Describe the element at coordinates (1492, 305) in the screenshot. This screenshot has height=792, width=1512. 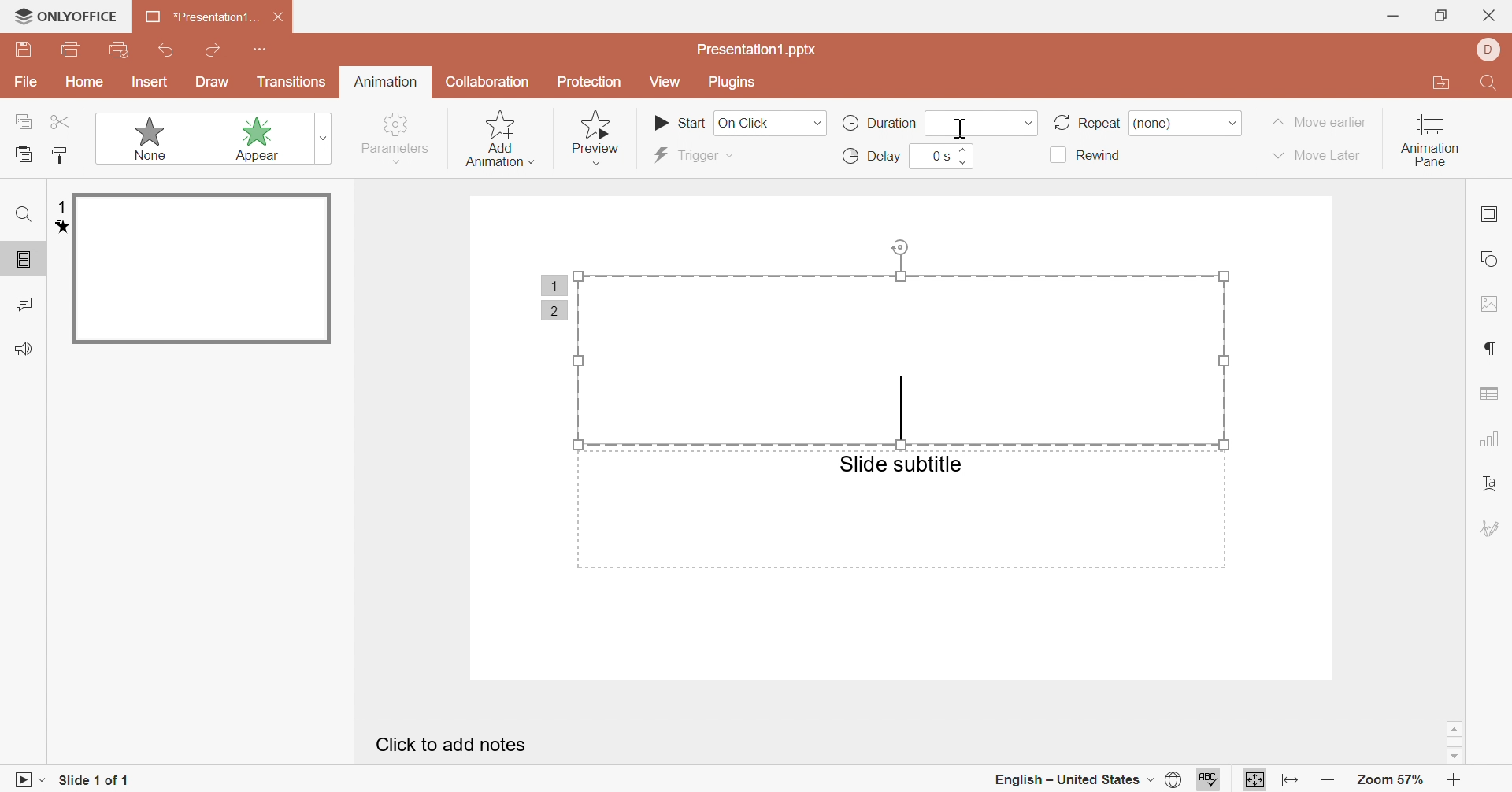
I see `image settings` at that location.